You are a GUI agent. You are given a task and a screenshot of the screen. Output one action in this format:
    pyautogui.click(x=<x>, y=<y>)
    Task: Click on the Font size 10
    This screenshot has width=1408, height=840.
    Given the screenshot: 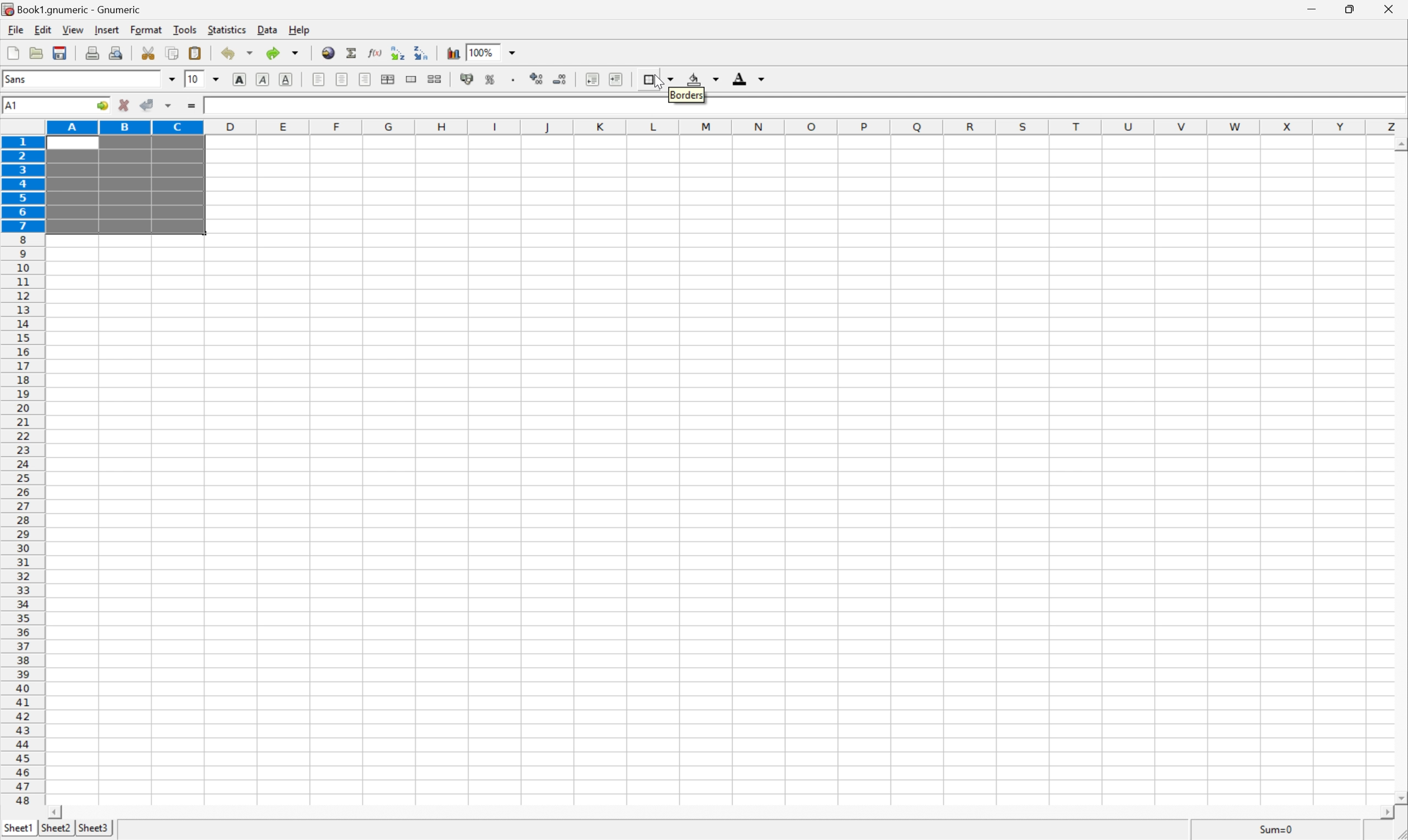 What is the action you would take?
    pyautogui.click(x=203, y=80)
    